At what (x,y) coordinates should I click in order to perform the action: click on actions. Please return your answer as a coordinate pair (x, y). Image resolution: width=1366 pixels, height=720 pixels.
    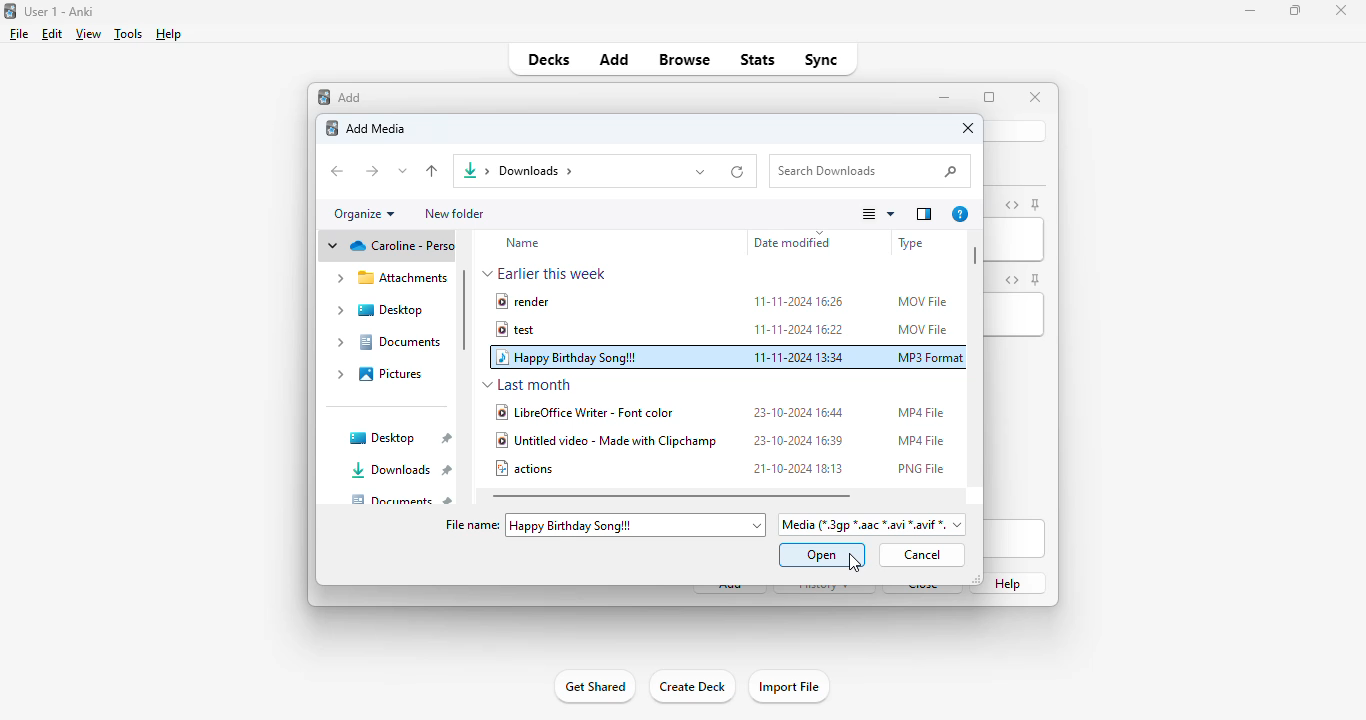
    Looking at the image, I should click on (528, 469).